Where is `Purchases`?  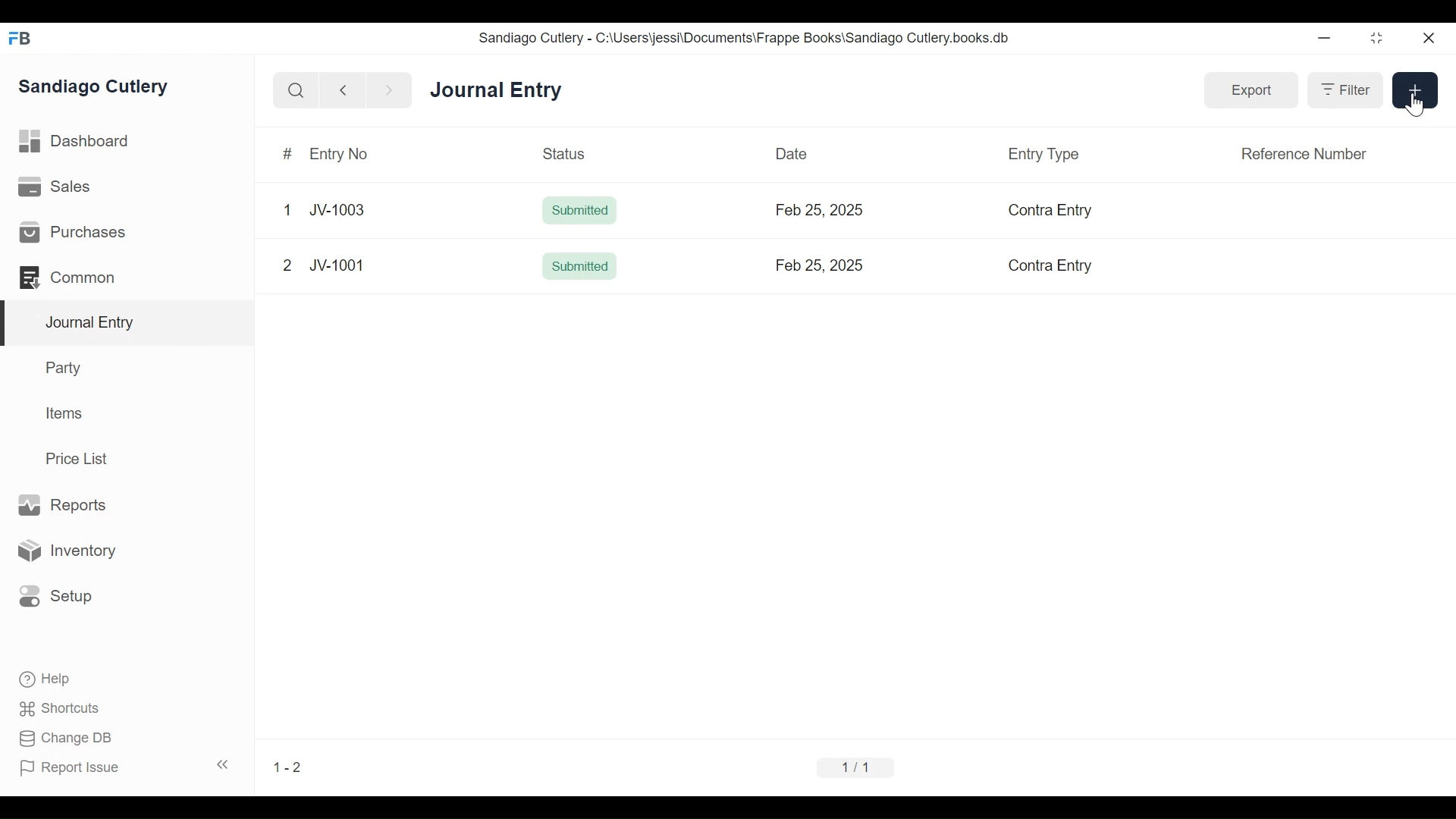 Purchases is located at coordinates (75, 232).